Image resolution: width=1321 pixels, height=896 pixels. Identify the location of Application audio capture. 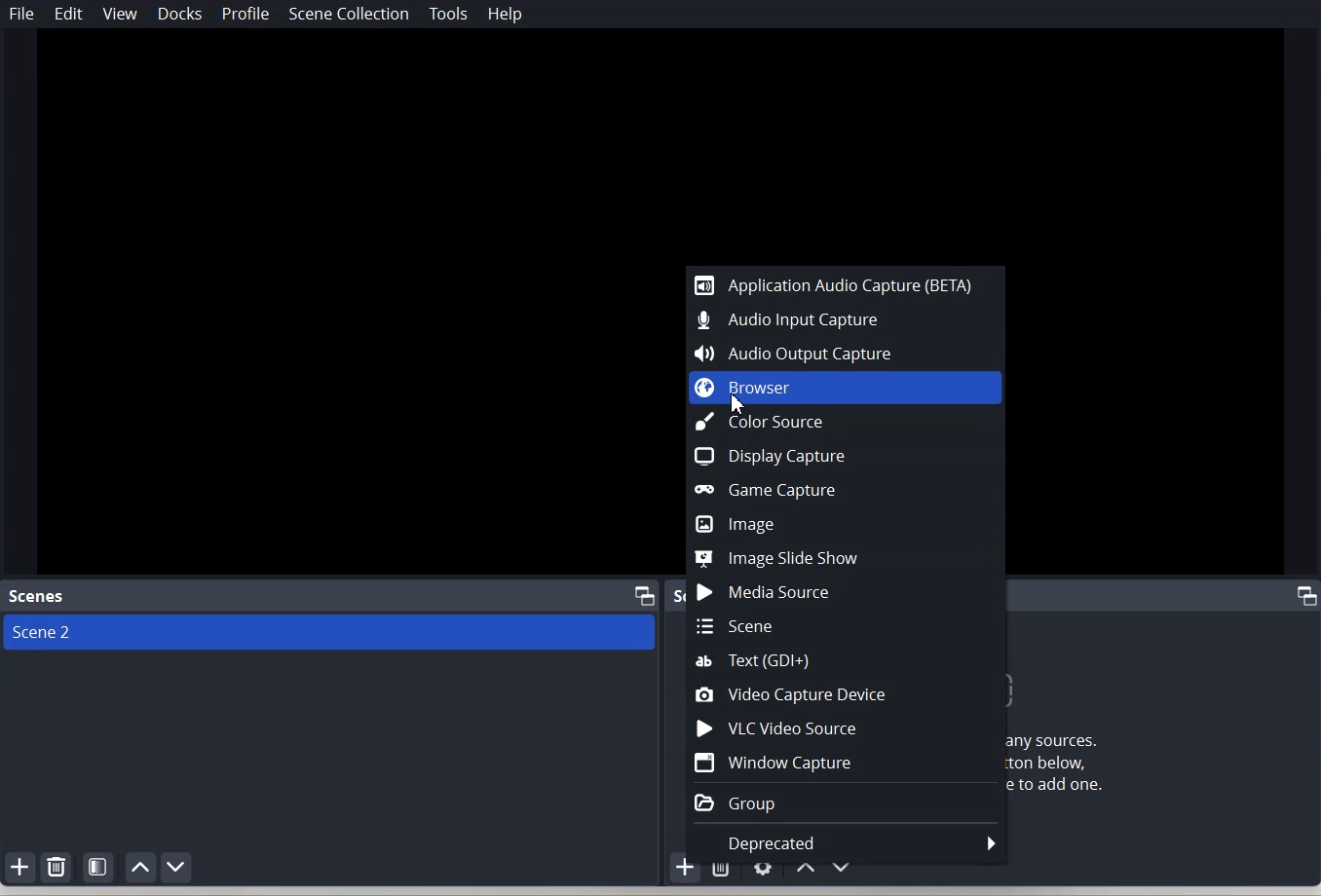
(844, 282).